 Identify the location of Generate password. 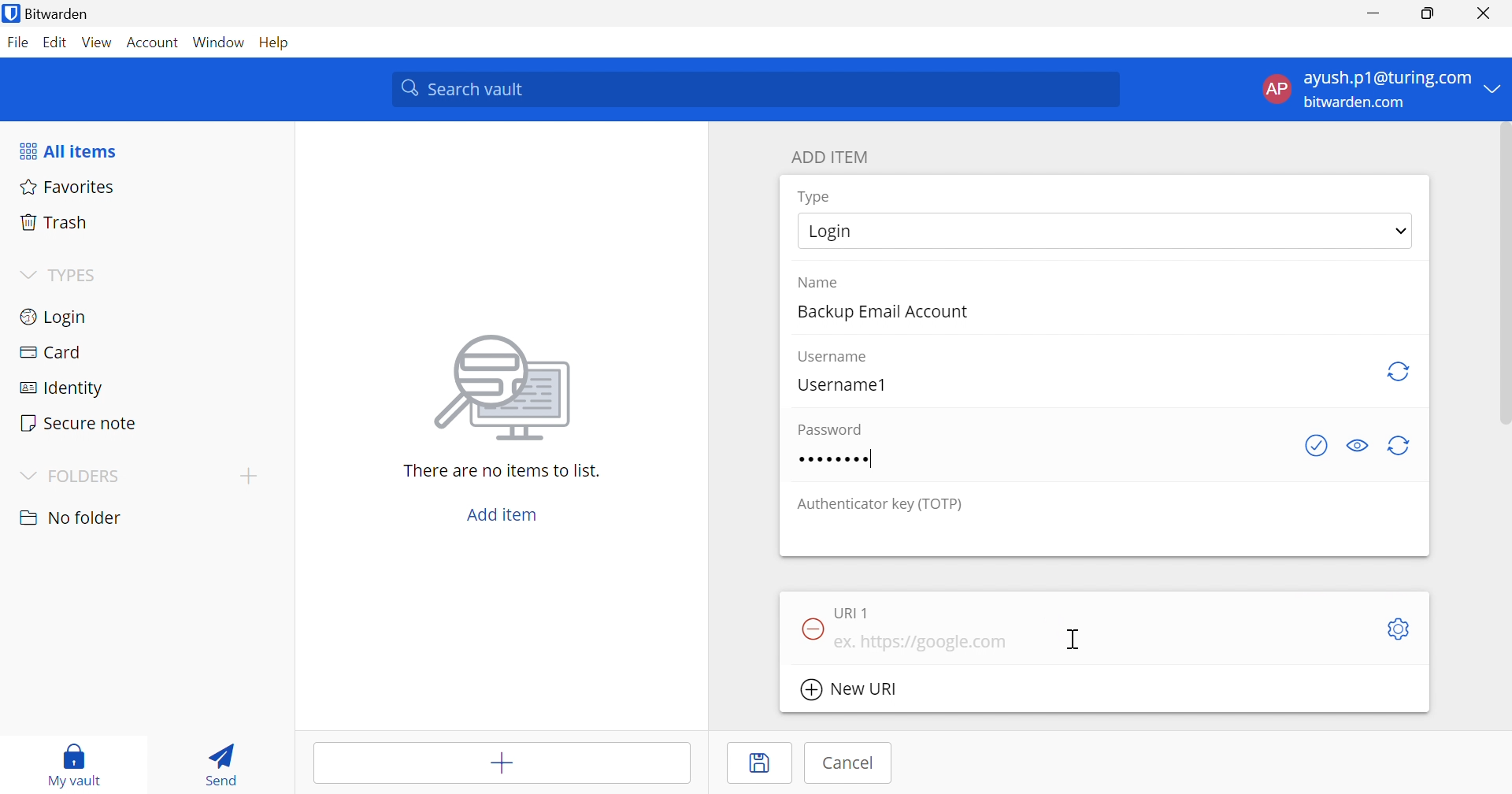
(1403, 447).